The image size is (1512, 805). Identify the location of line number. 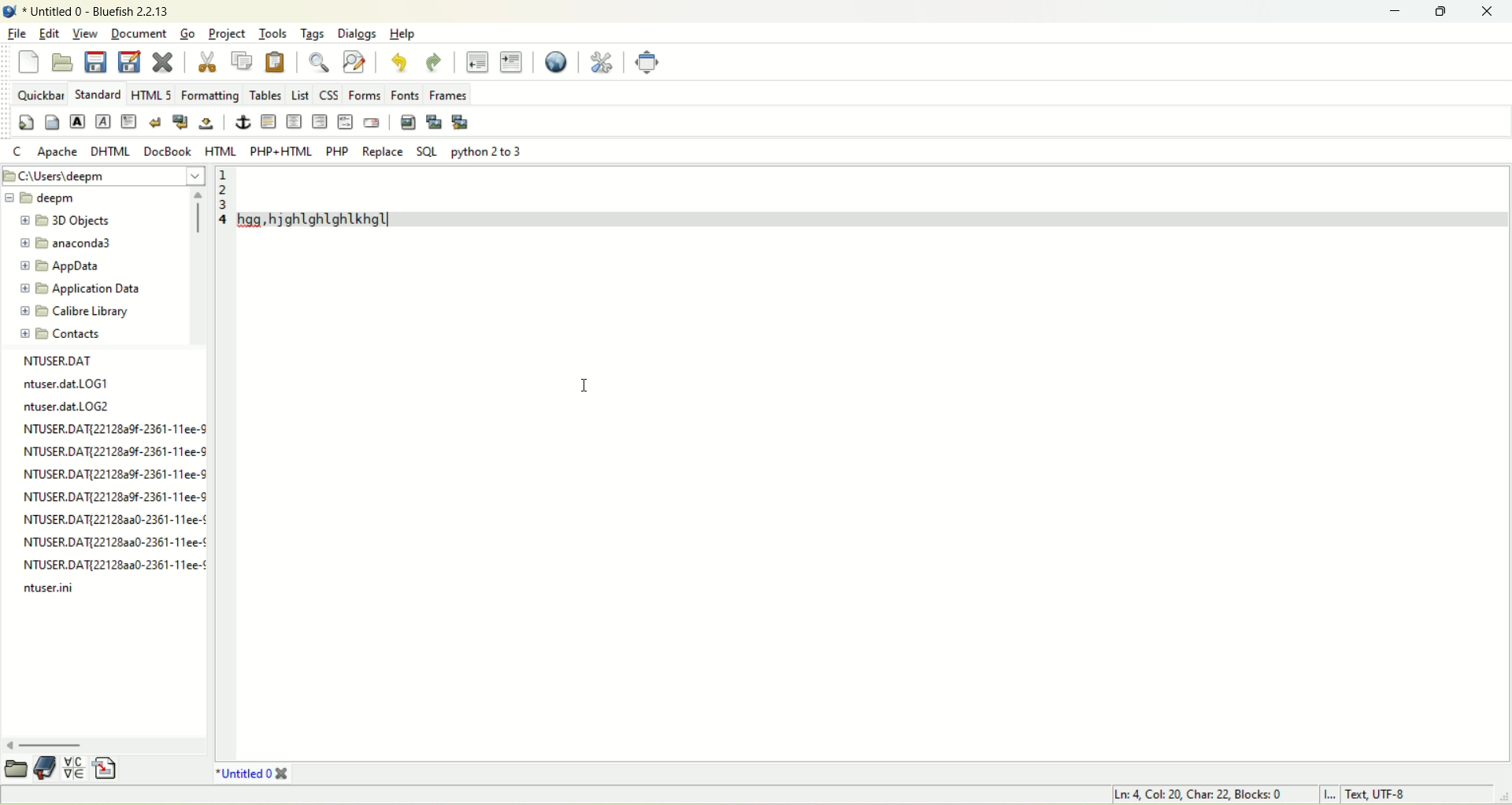
(223, 463).